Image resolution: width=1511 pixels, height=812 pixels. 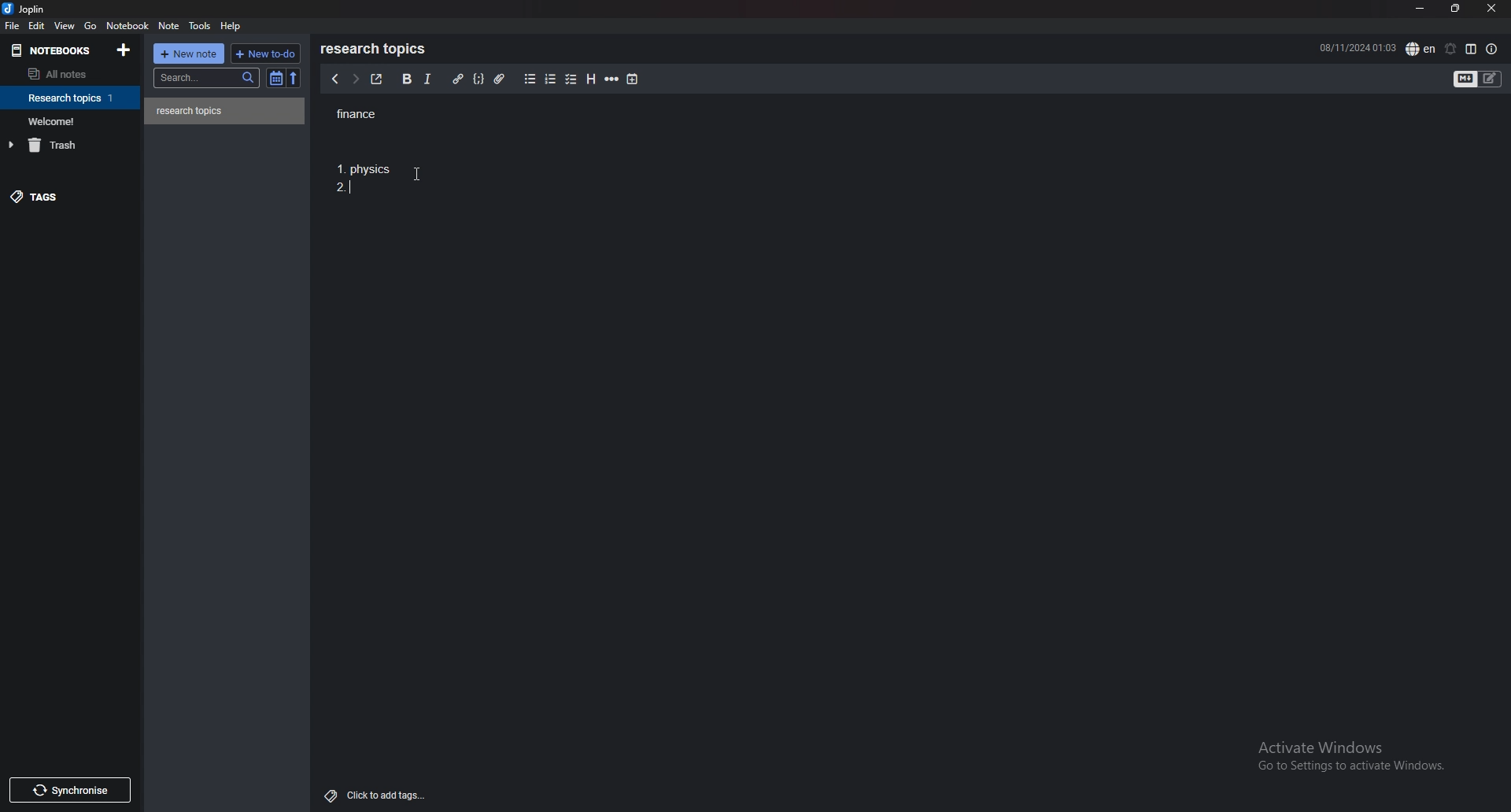 I want to click on joplin, so click(x=25, y=10).